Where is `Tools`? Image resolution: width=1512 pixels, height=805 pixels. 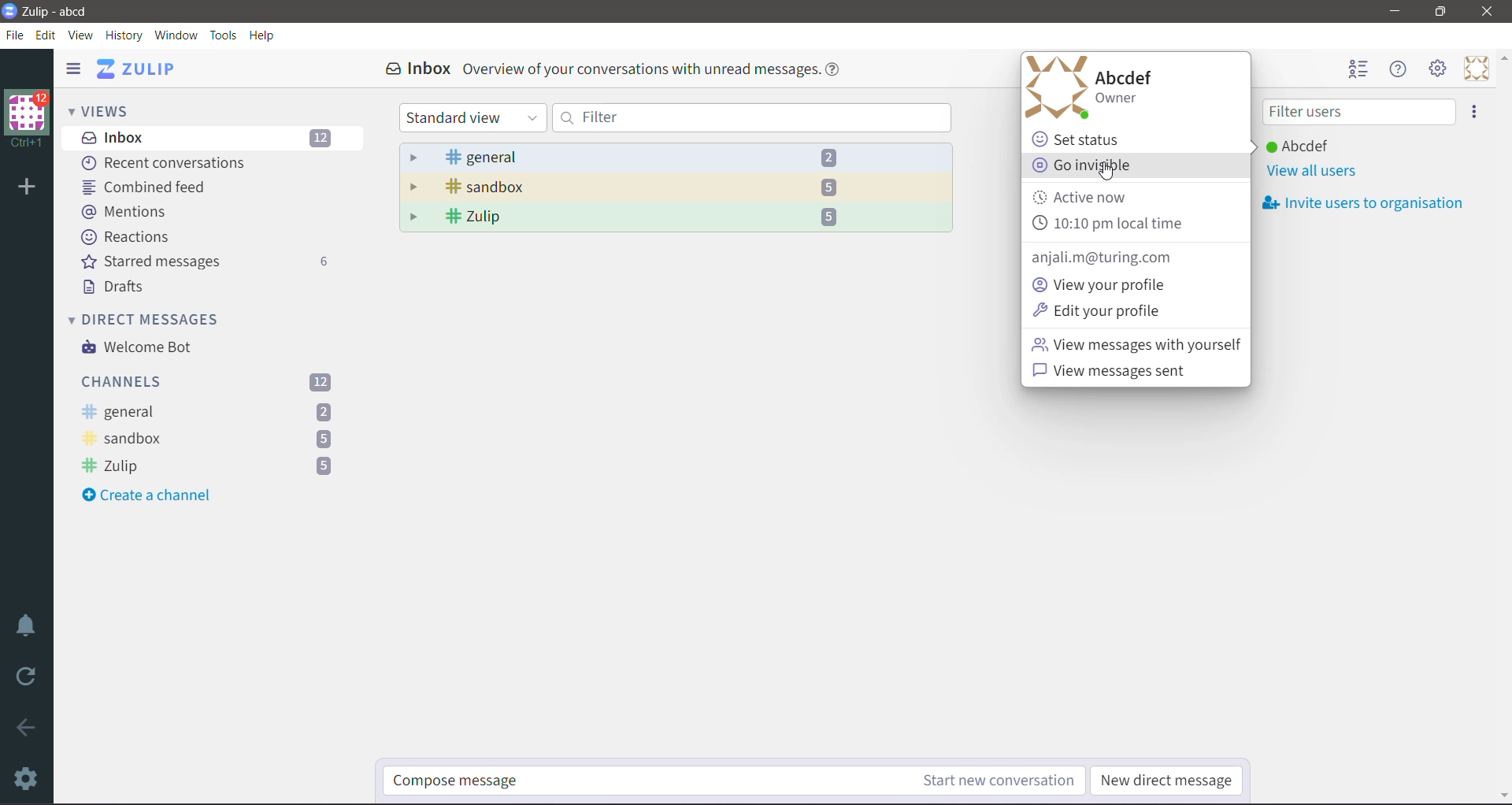
Tools is located at coordinates (224, 35).